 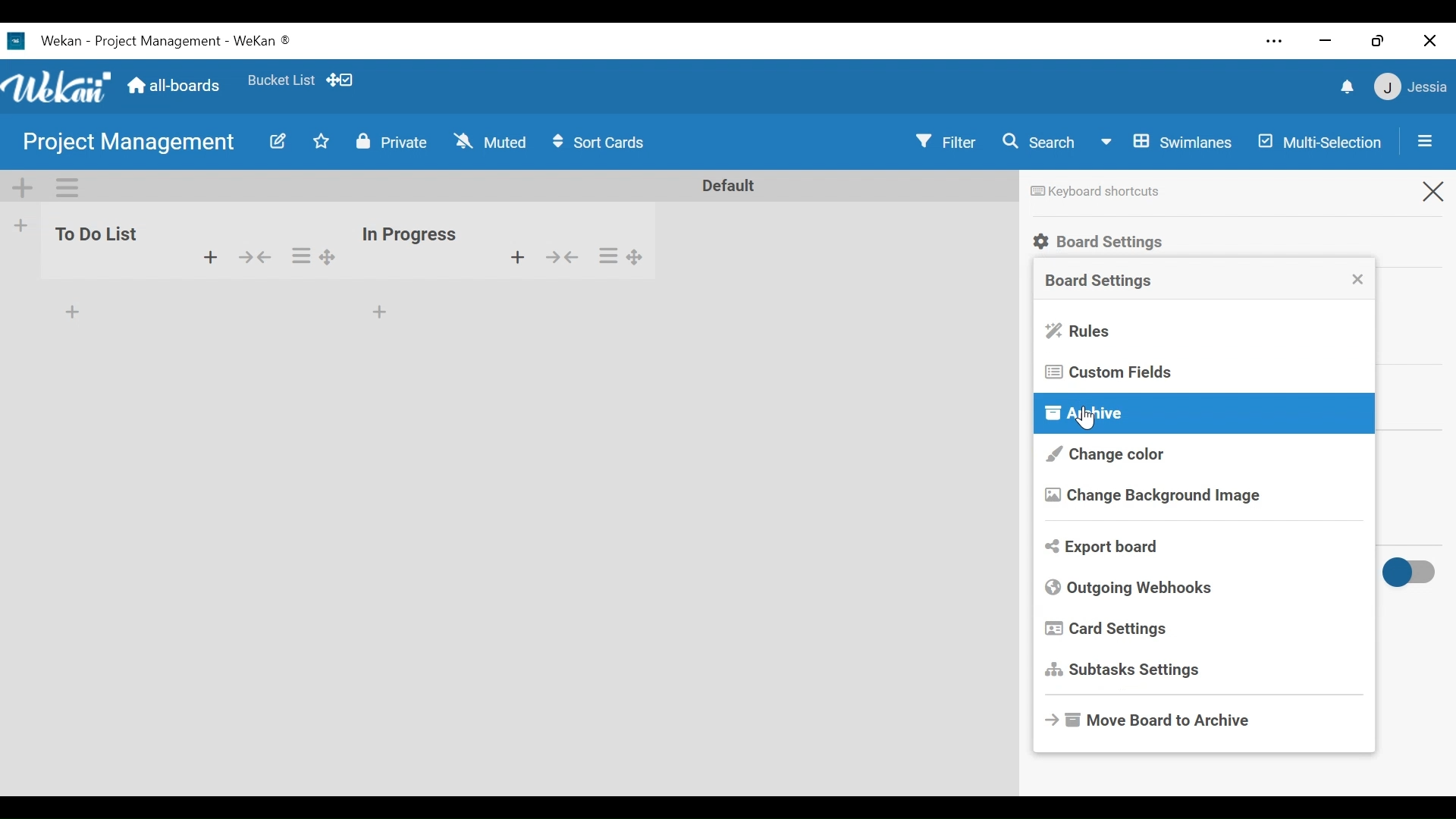 What do you see at coordinates (344, 80) in the screenshot?
I see `Show Desktop drag handles` at bounding box center [344, 80].